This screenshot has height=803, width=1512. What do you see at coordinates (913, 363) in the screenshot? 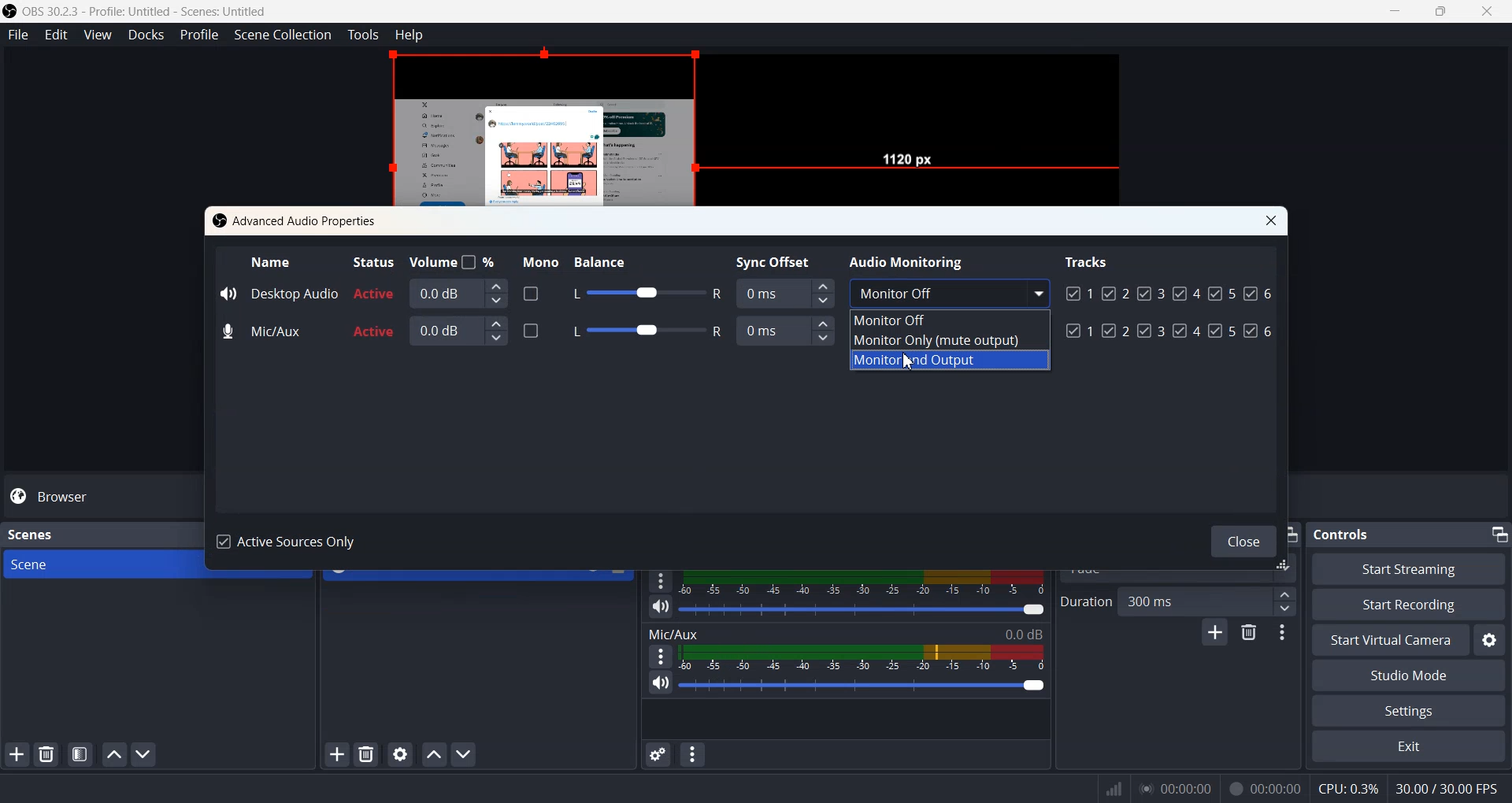
I see `Cursor` at bounding box center [913, 363].